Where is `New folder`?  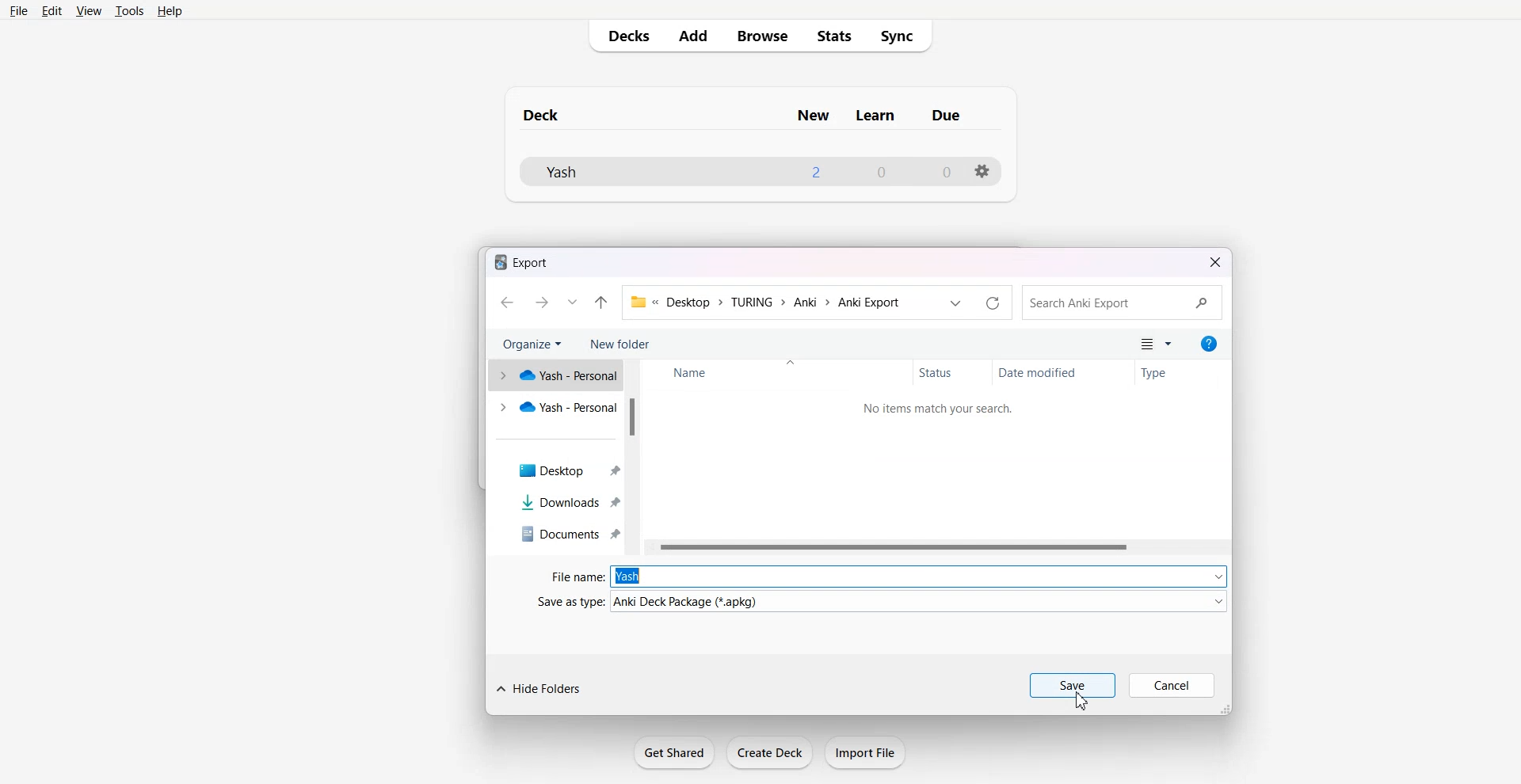
New folder is located at coordinates (620, 344).